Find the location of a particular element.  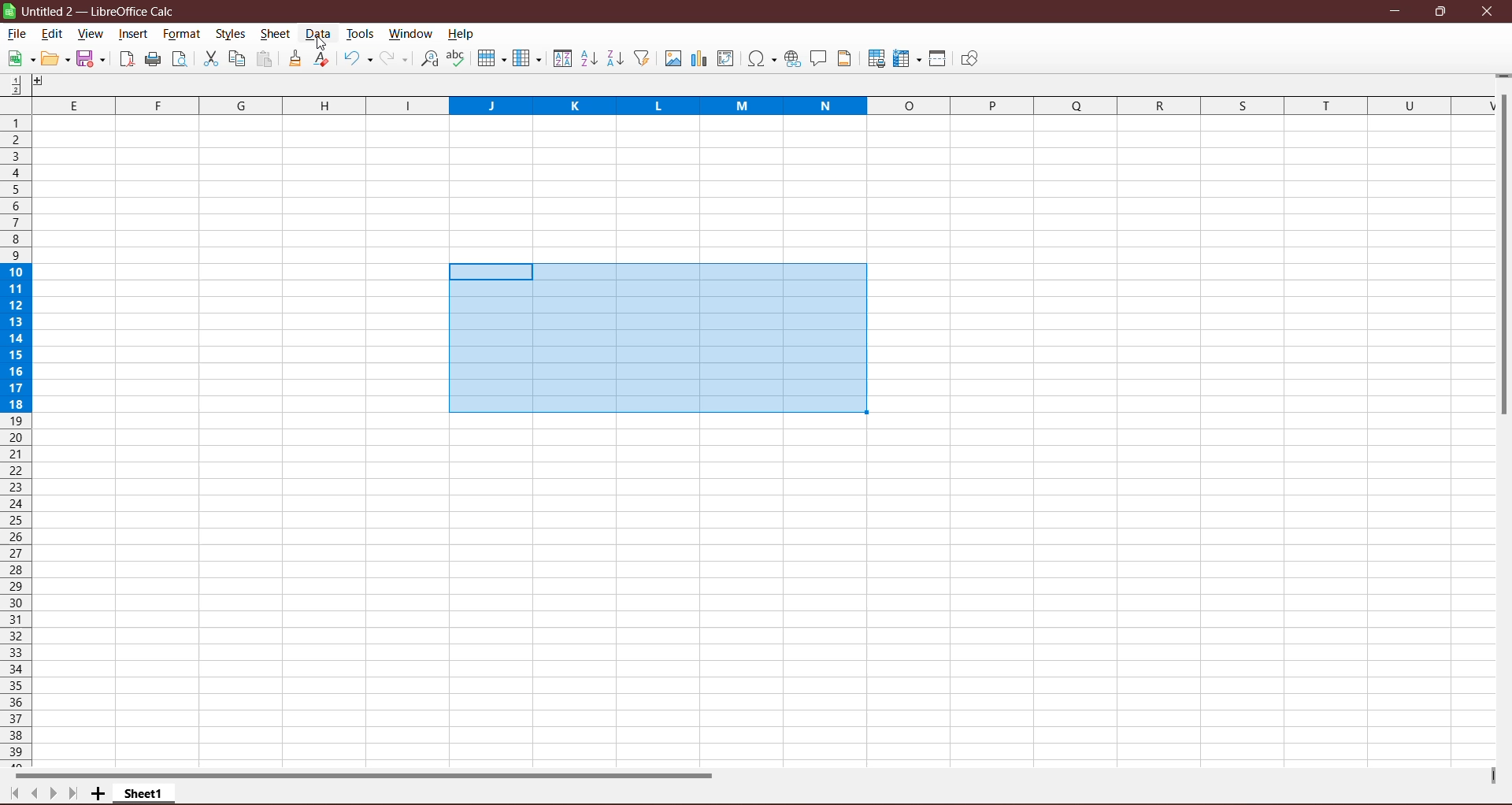

Copy is located at coordinates (237, 58).